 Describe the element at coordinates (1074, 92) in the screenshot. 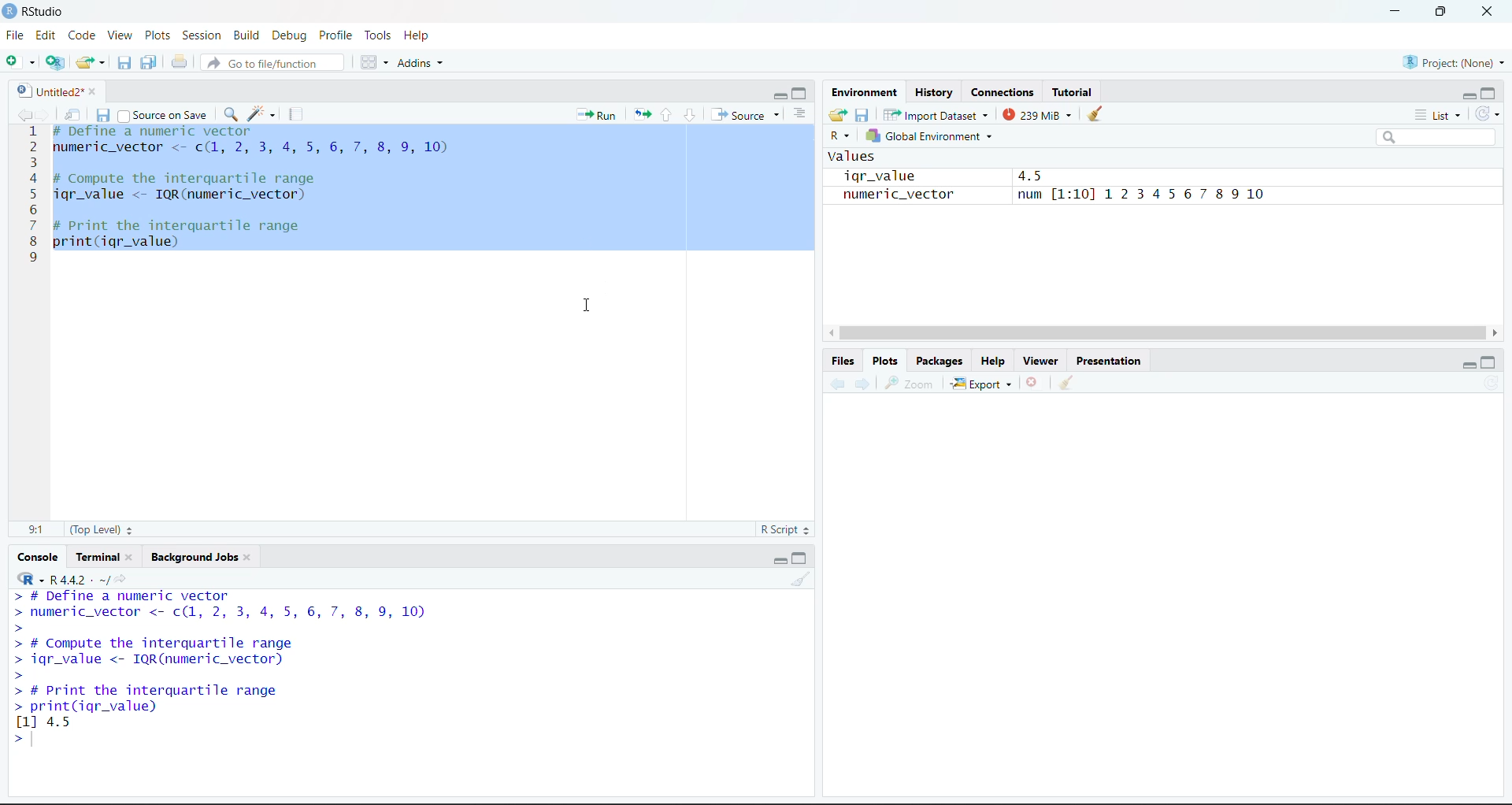

I see `Tutorial` at that location.